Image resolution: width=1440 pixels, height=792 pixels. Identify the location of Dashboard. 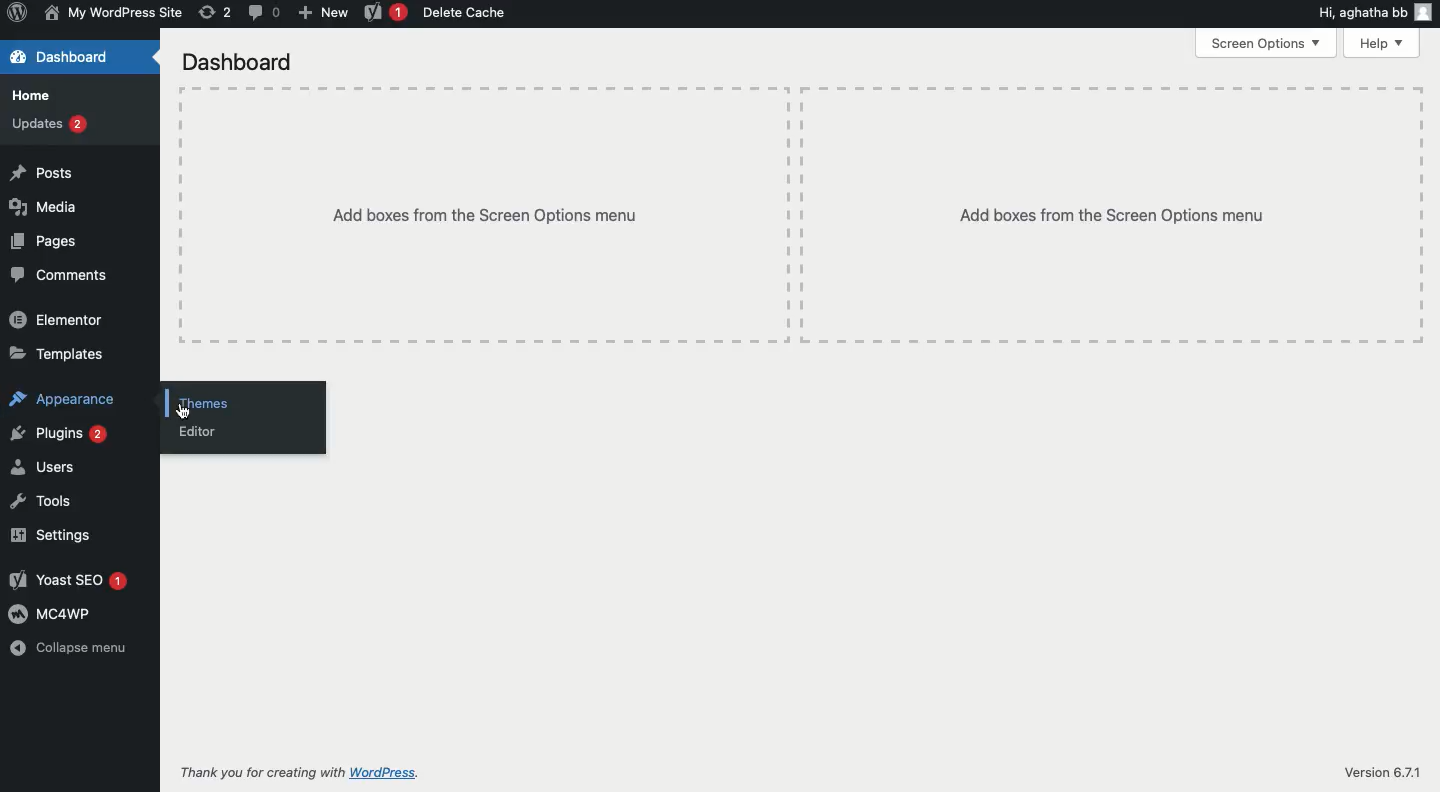
(244, 64).